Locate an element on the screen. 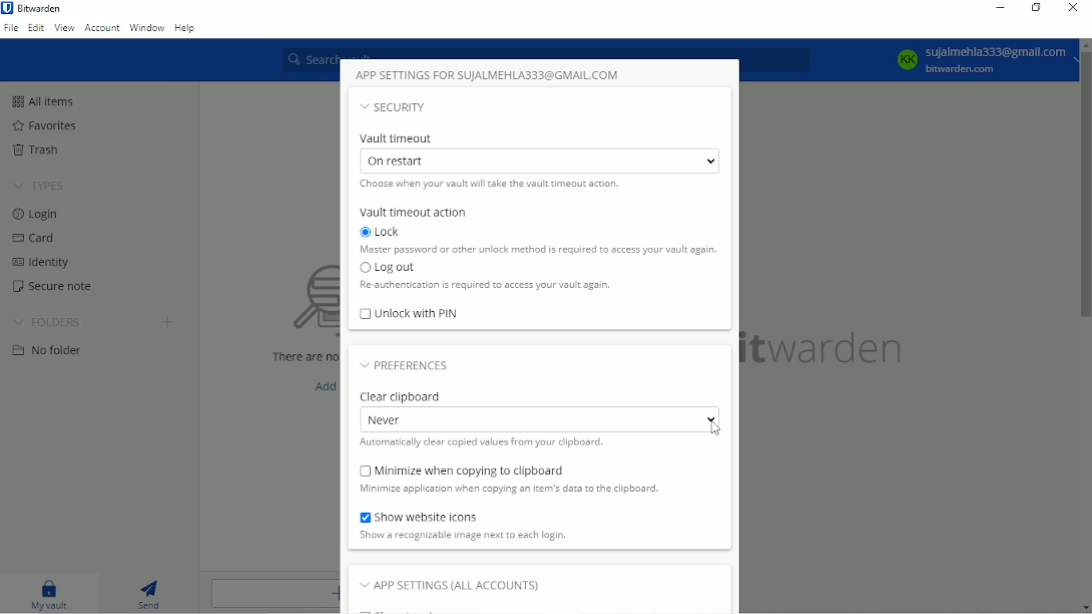 The image size is (1092, 614). Types is located at coordinates (42, 186).